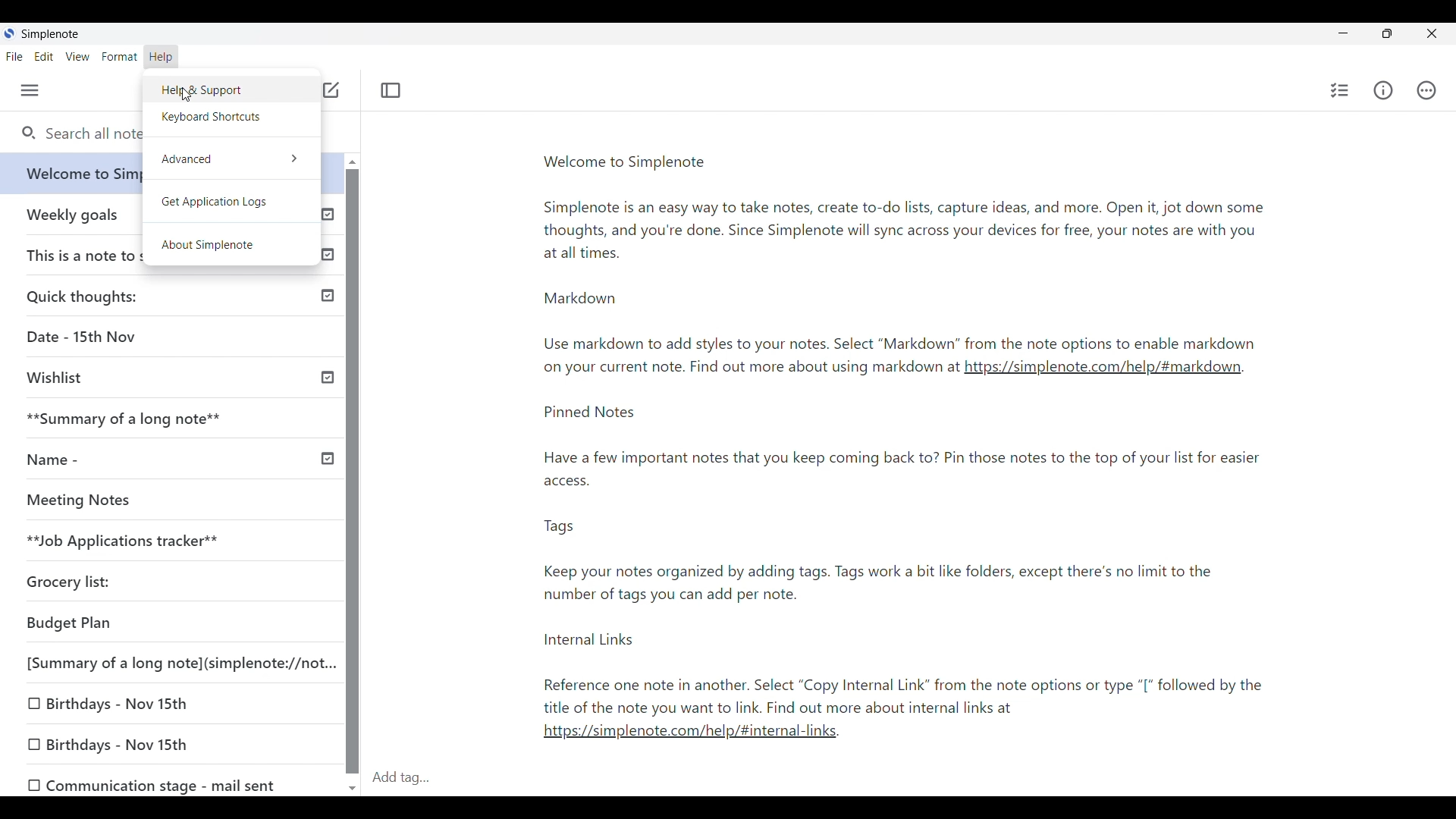 The width and height of the screenshot is (1456, 819). Describe the element at coordinates (80, 135) in the screenshot. I see `Search all notes and tags` at that location.